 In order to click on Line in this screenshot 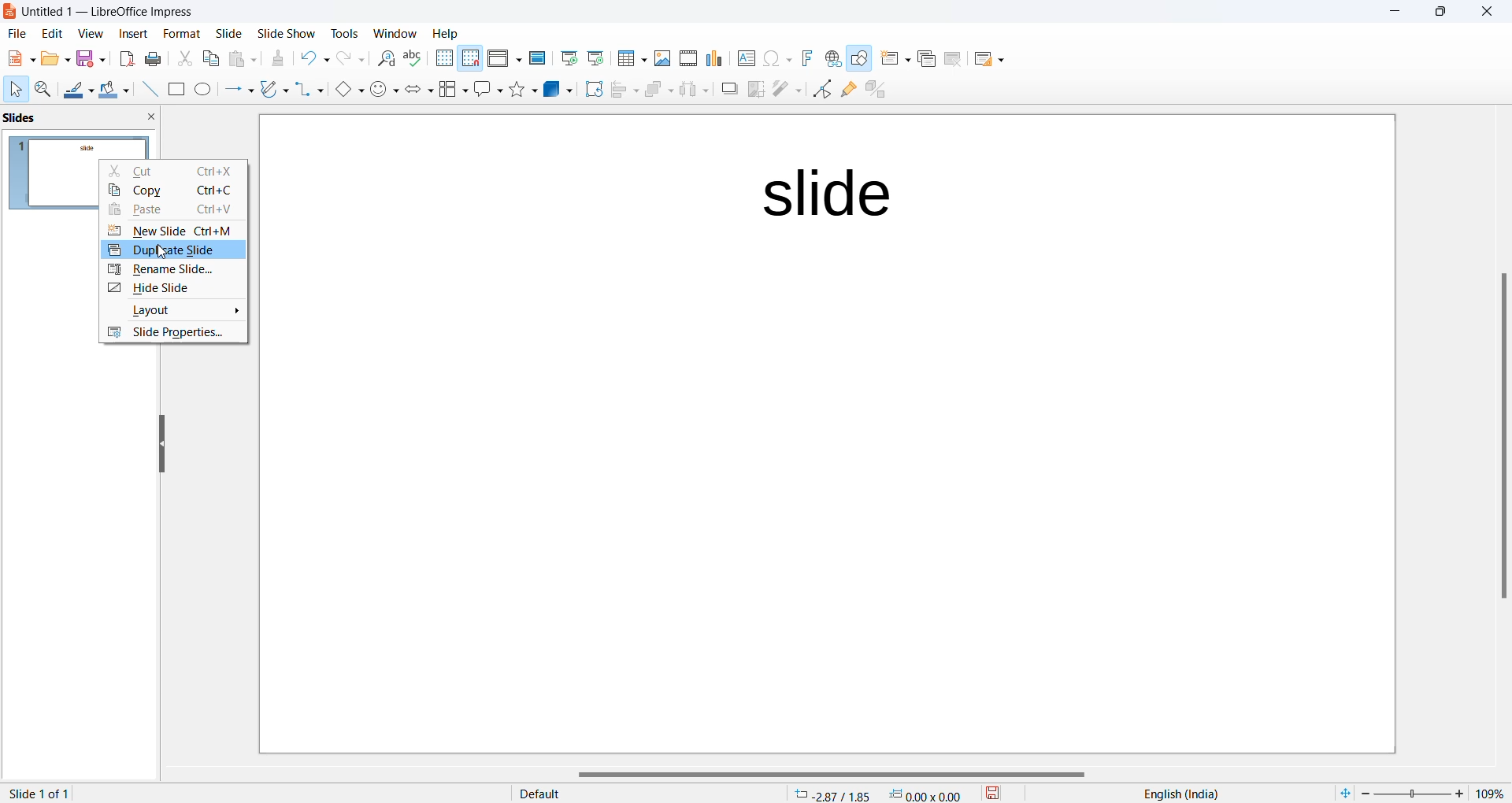, I will do `click(145, 90)`.